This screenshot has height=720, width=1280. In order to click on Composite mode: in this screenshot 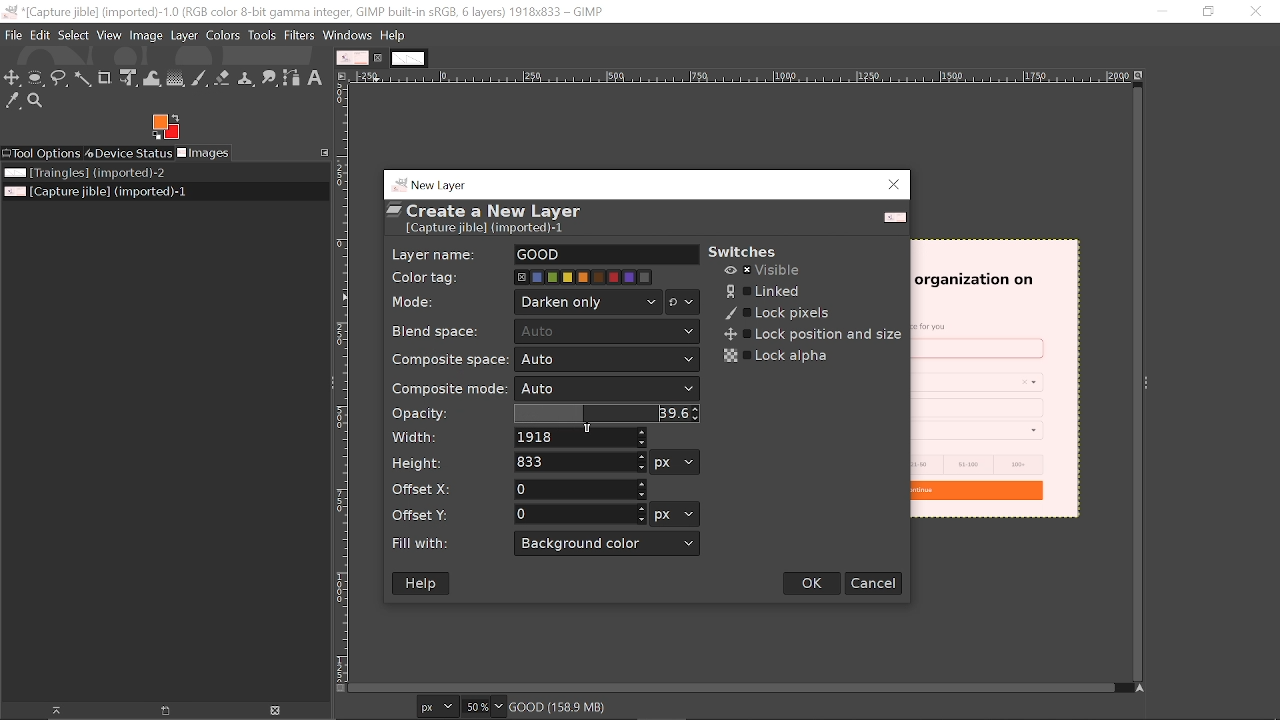, I will do `click(445, 388)`.